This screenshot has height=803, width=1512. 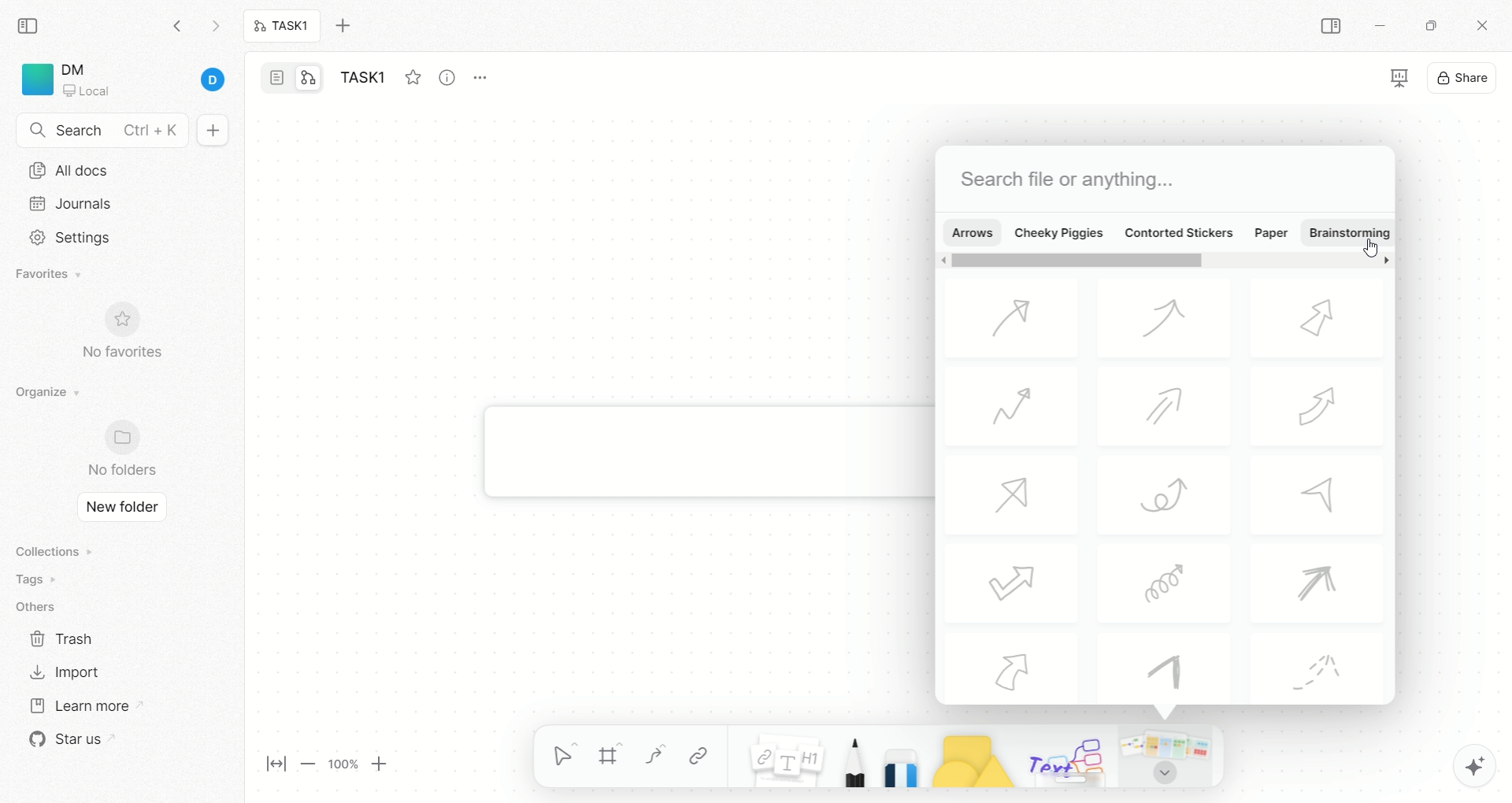 I want to click on go backward, so click(x=177, y=25).